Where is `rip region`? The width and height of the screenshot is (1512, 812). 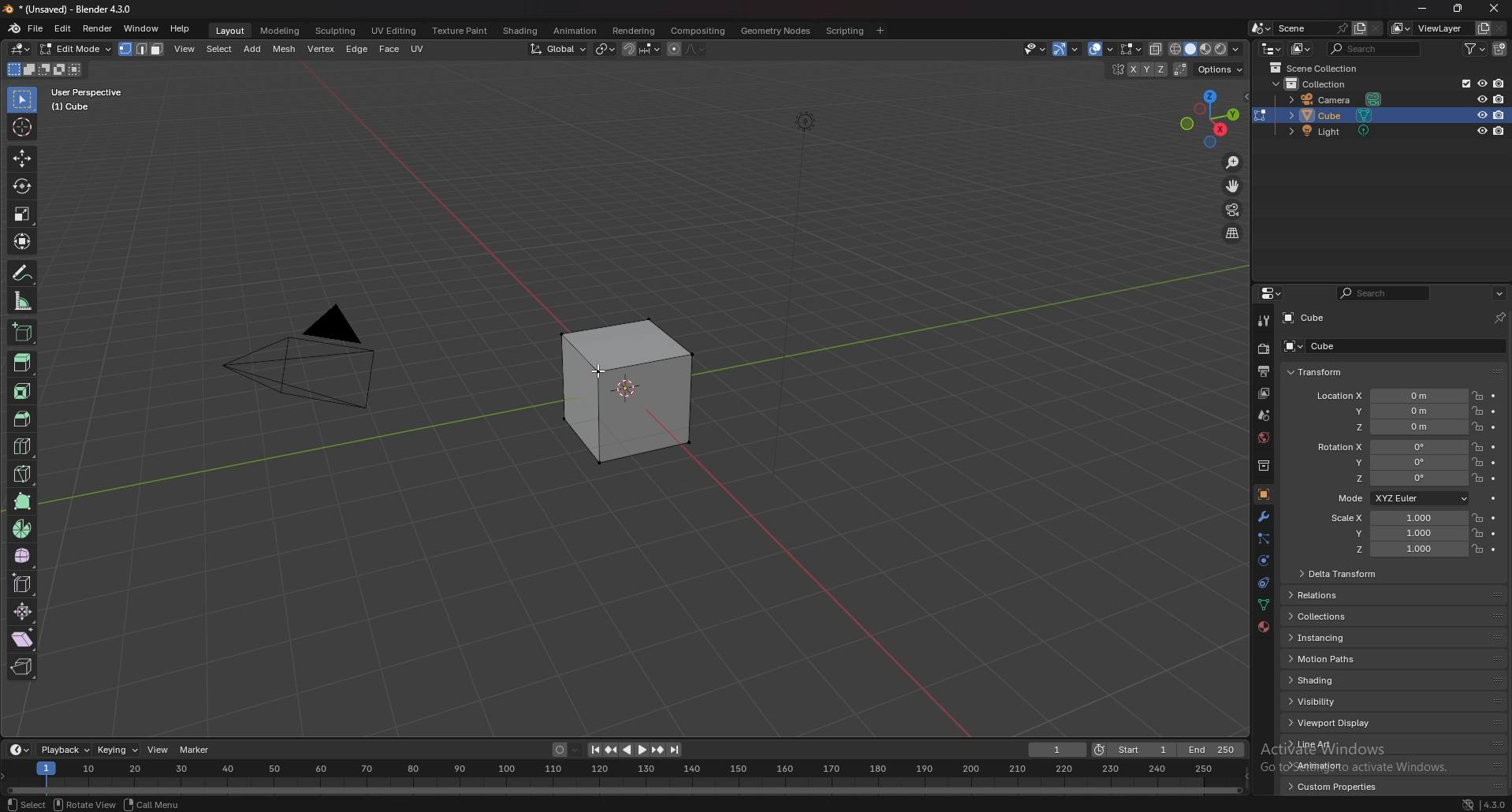
rip region is located at coordinates (22, 668).